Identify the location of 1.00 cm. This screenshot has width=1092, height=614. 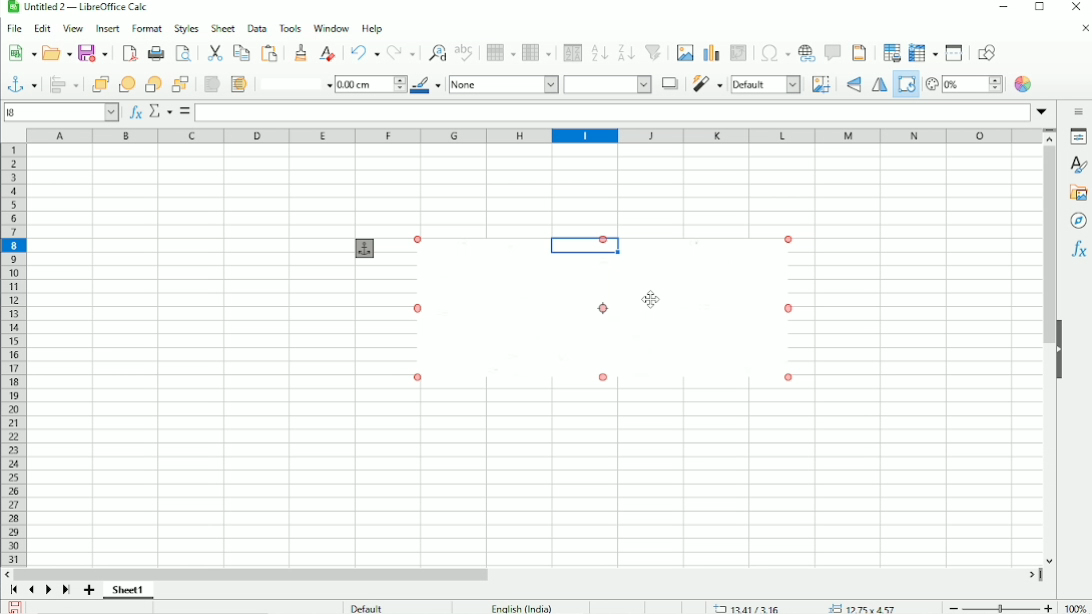
(370, 85).